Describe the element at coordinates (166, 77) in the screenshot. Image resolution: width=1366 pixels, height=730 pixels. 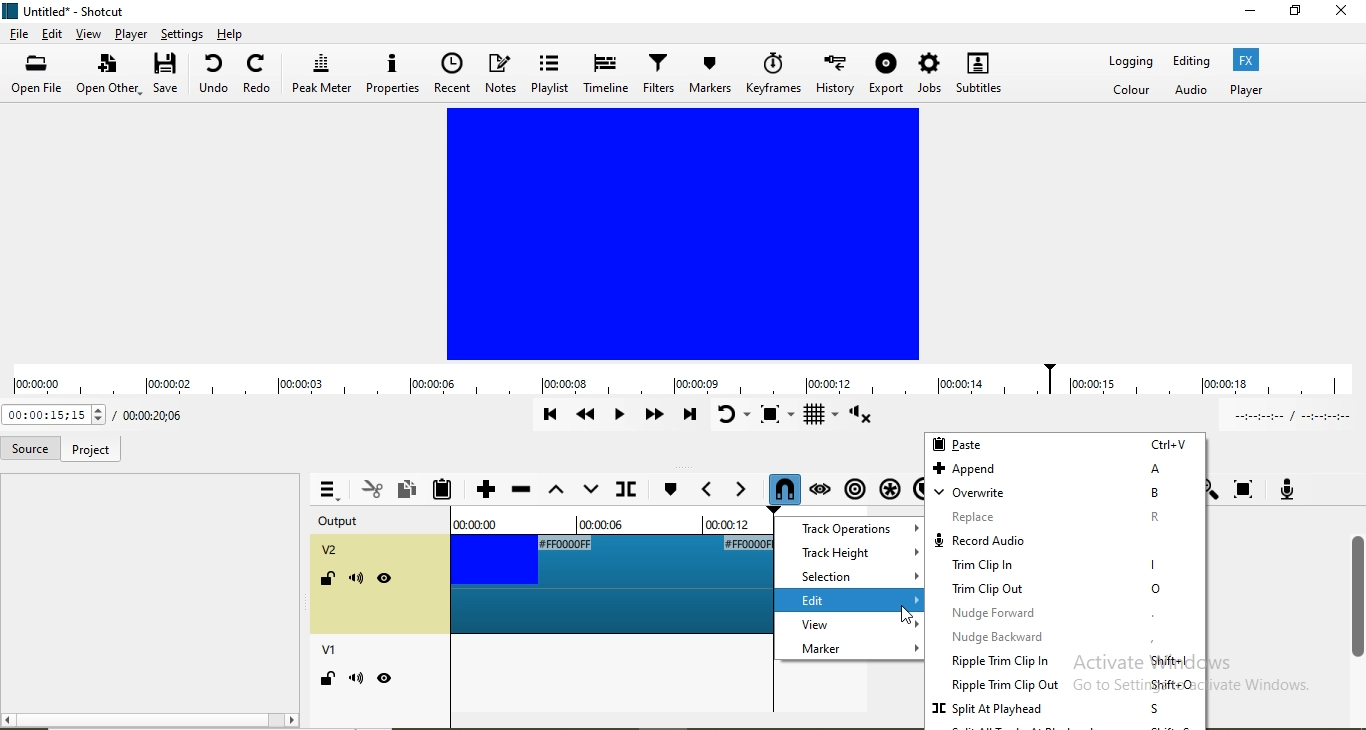
I see `save` at that location.